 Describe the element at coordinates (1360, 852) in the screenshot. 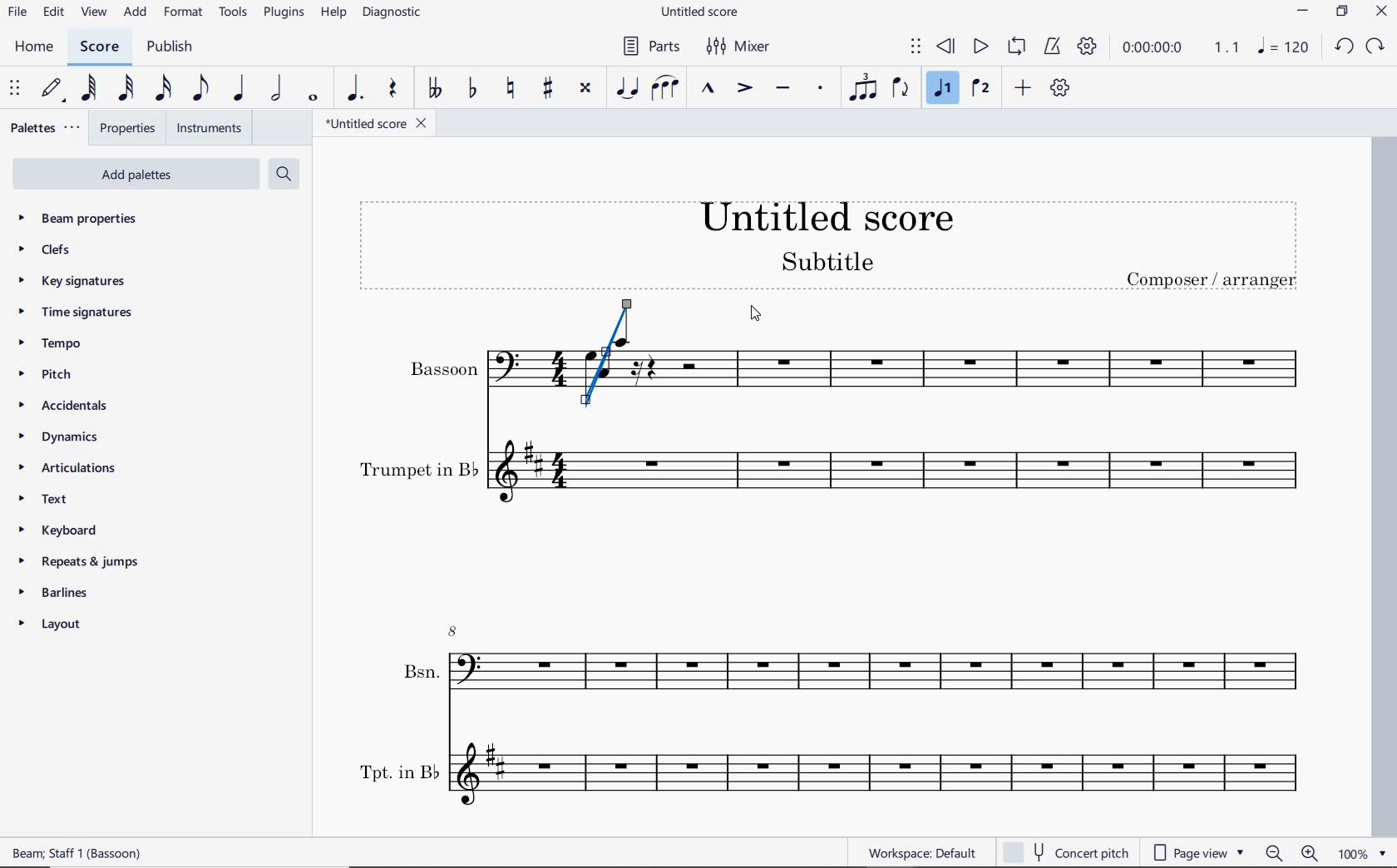

I see `zoom factor` at that location.